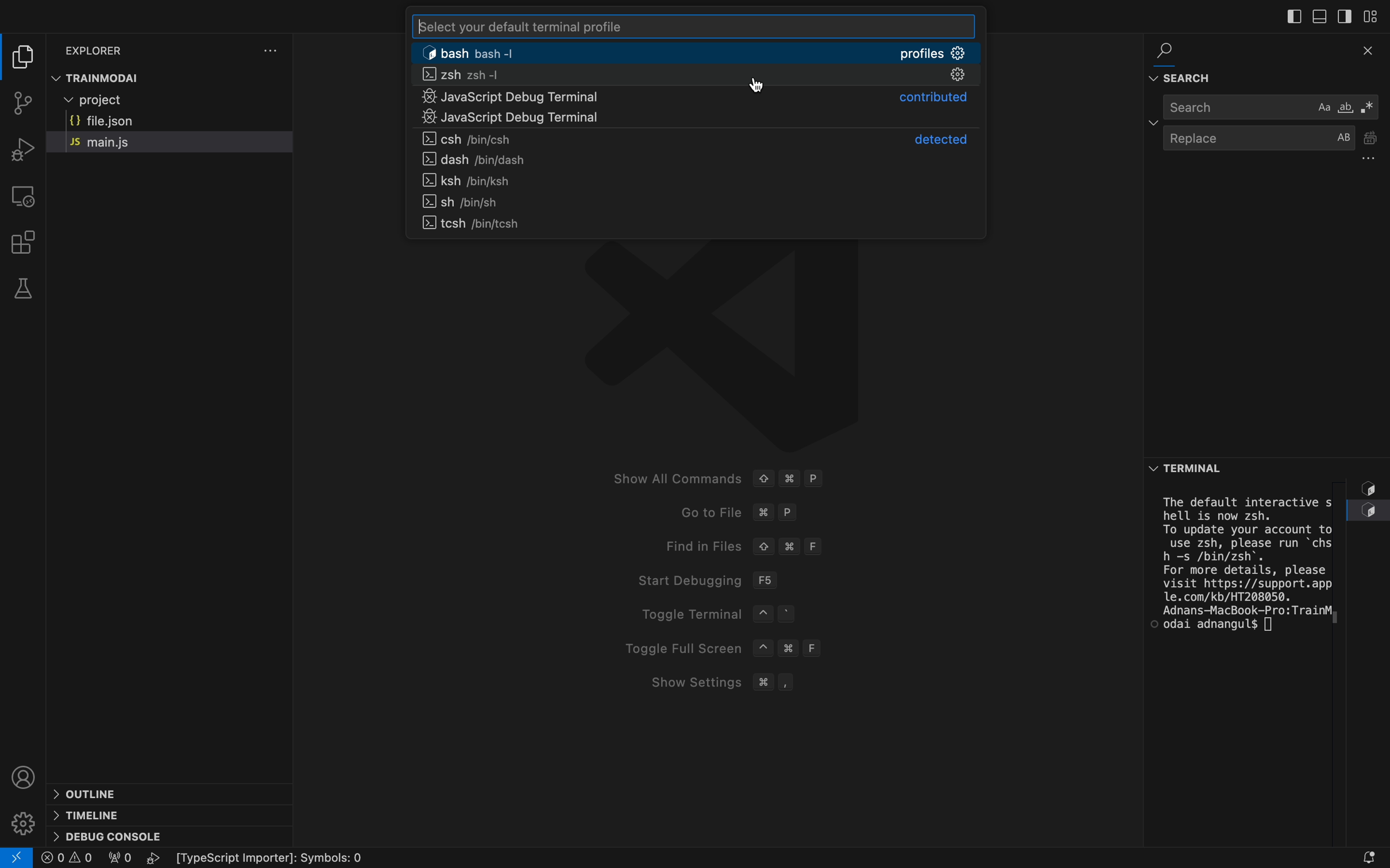 Image resolution: width=1390 pixels, height=868 pixels. What do you see at coordinates (755, 87) in the screenshot?
I see `cursor` at bounding box center [755, 87].